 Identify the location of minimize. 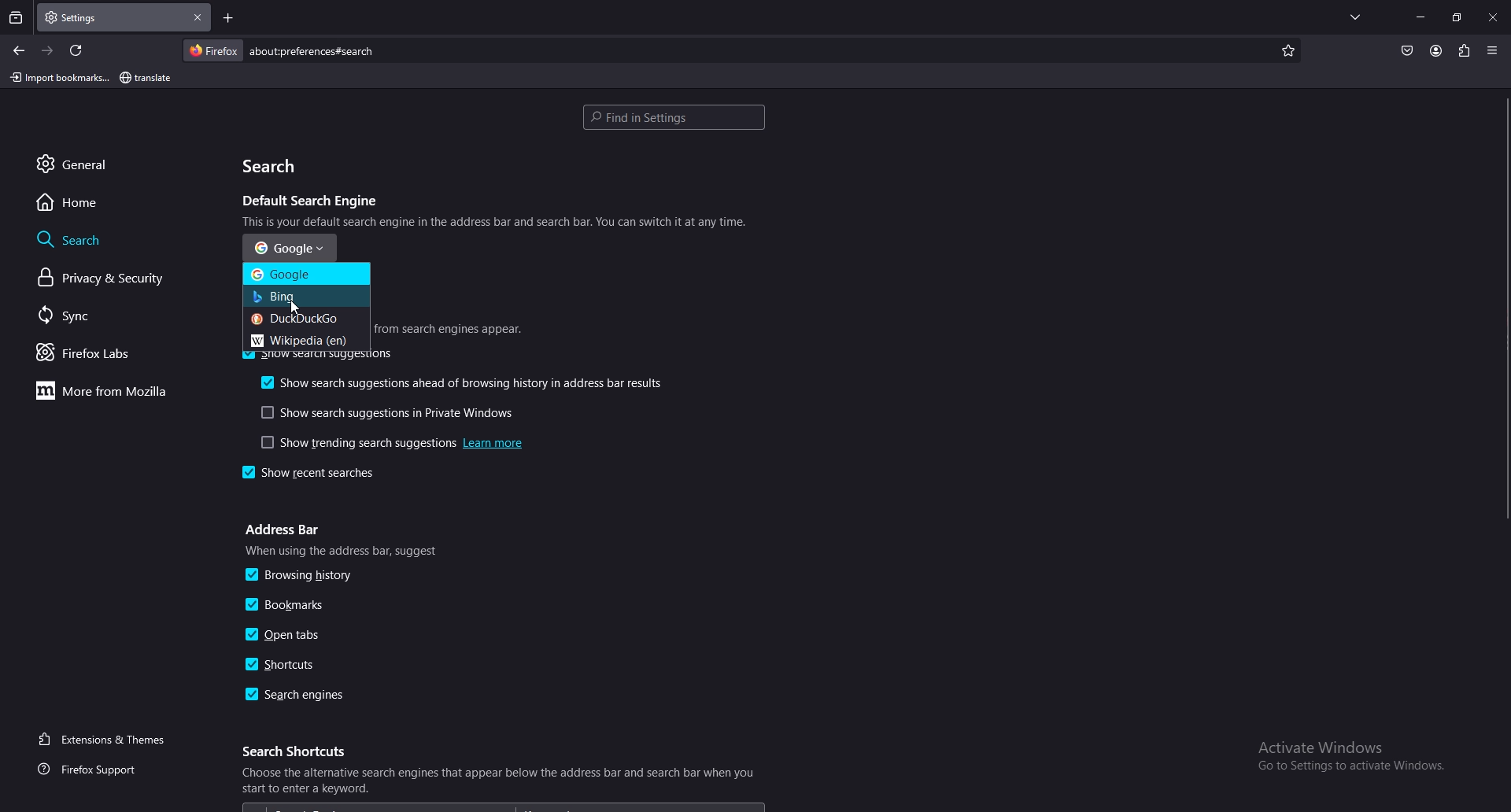
(1420, 17).